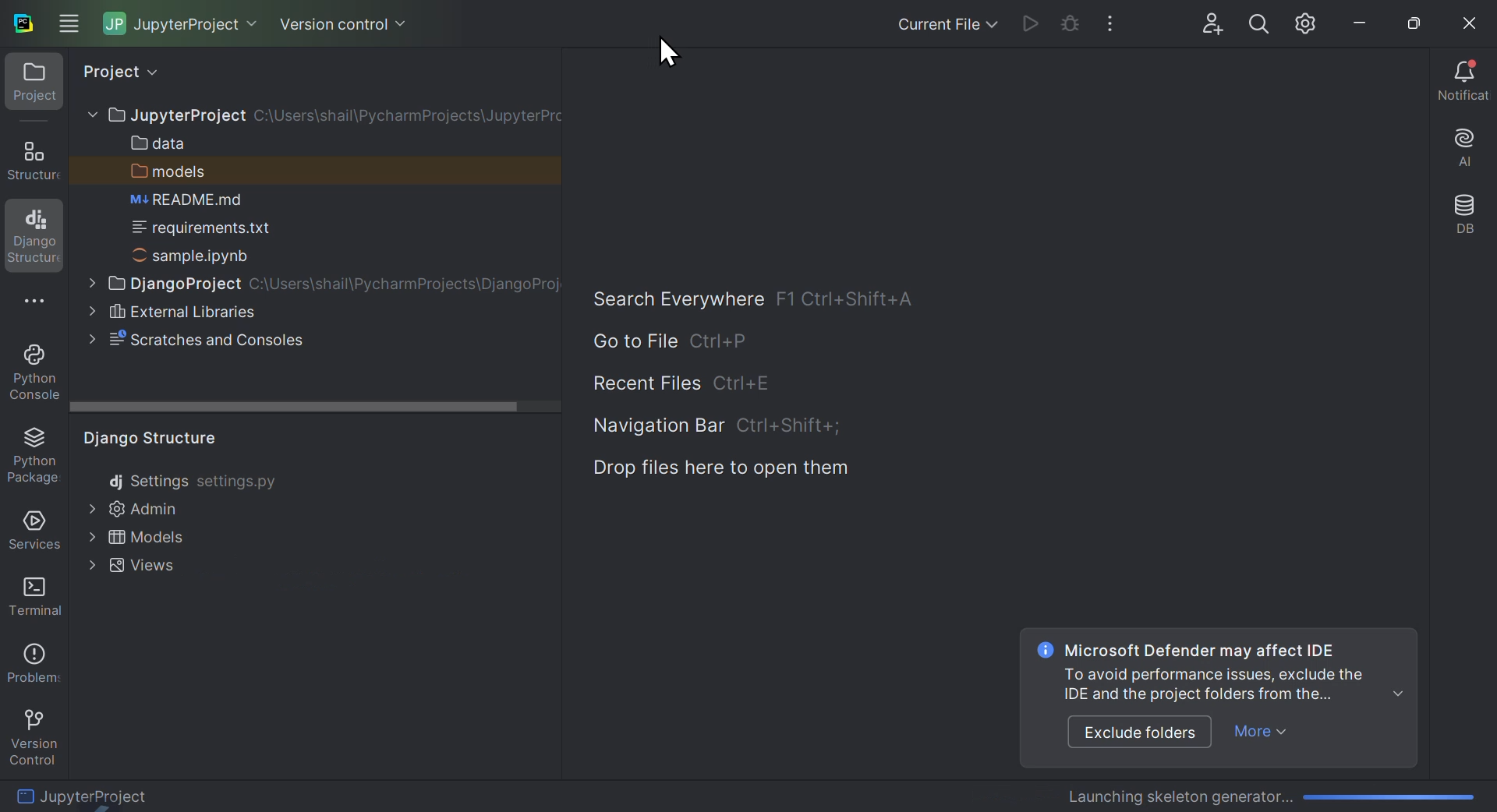  I want to click on Models, so click(170, 171).